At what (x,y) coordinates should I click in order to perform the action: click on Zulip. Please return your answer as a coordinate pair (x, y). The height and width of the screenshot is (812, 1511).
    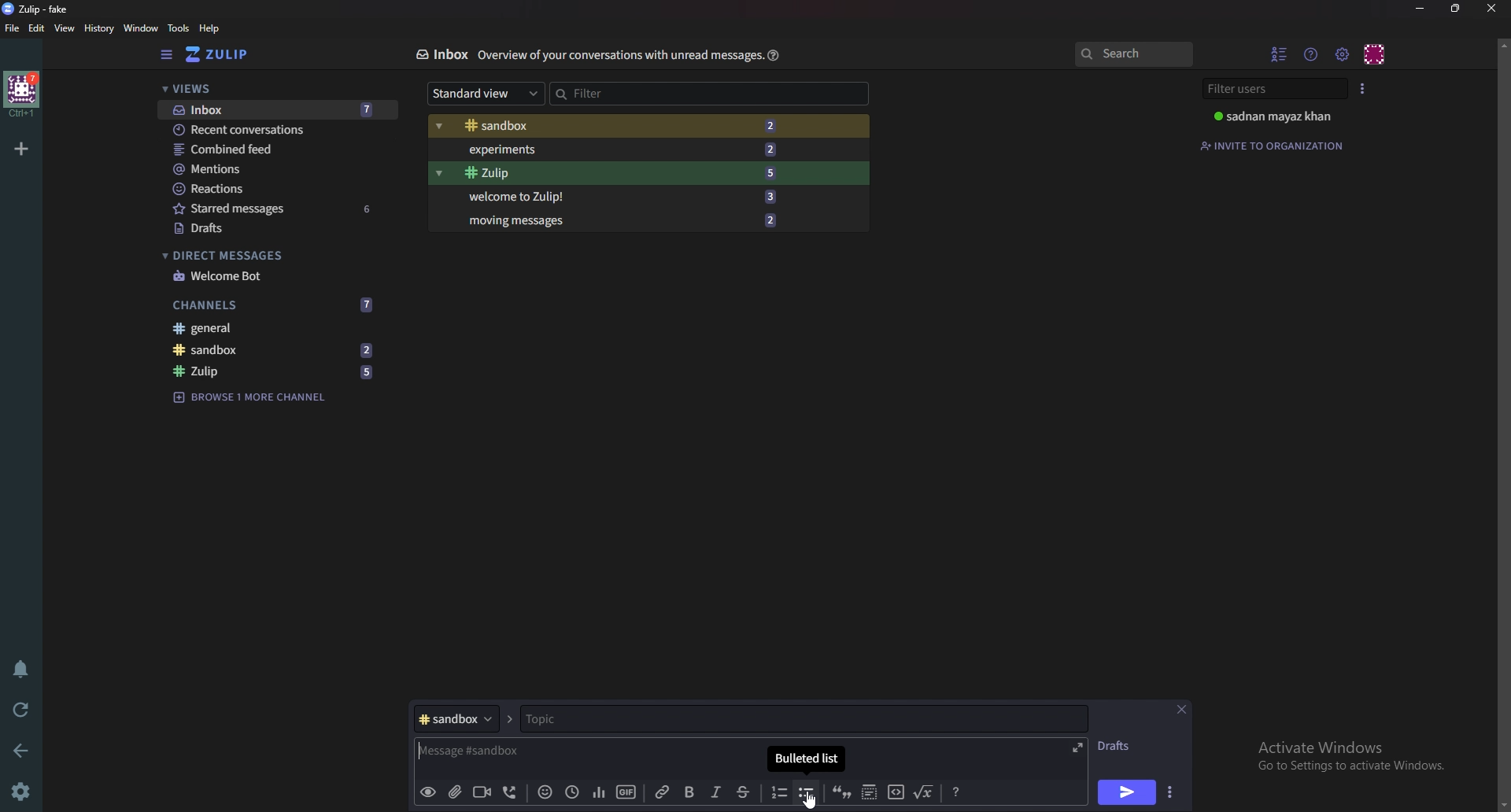
    Looking at the image, I should click on (618, 173).